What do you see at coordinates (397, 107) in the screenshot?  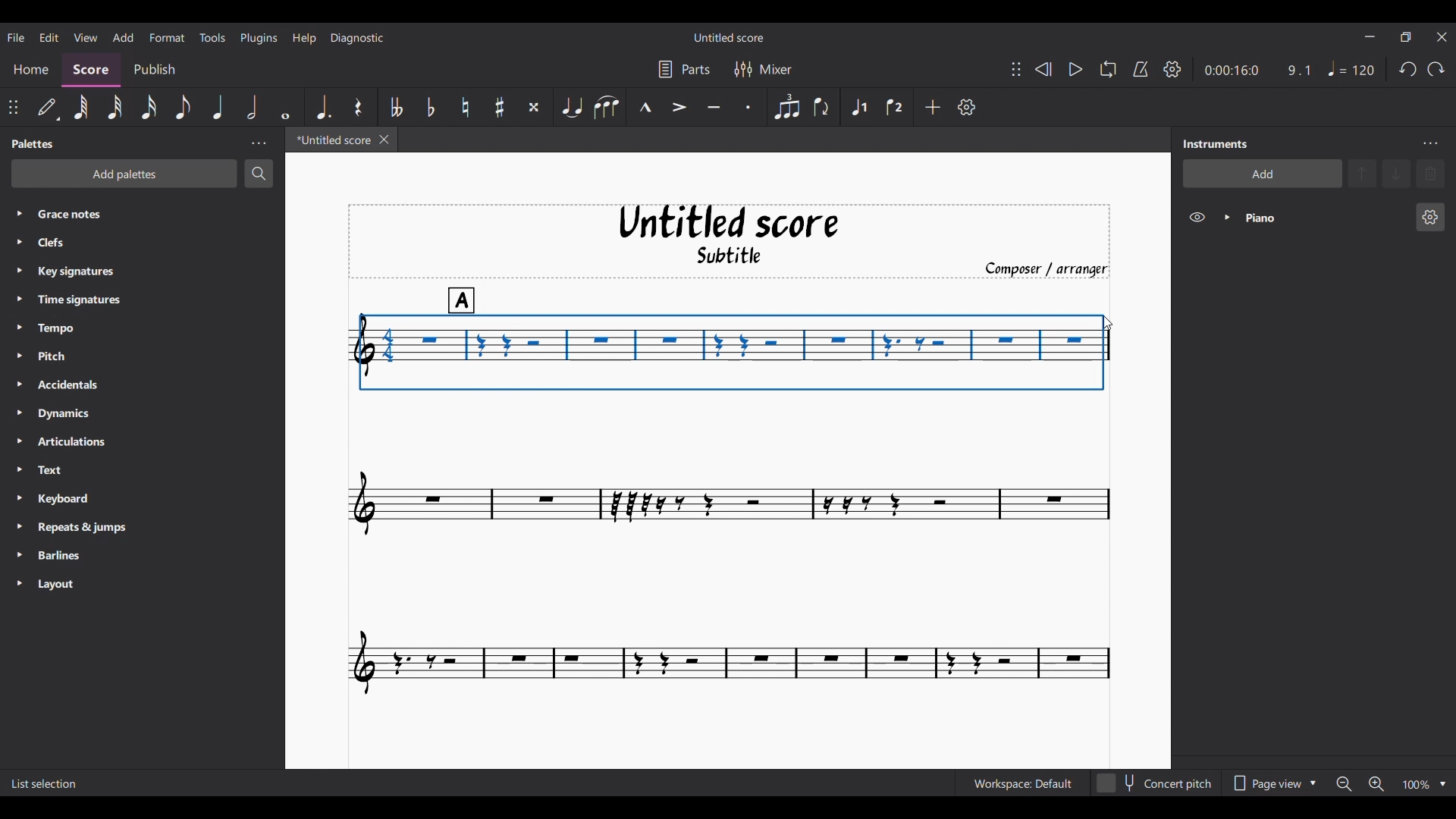 I see `Toggle double flat` at bounding box center [397, 107].